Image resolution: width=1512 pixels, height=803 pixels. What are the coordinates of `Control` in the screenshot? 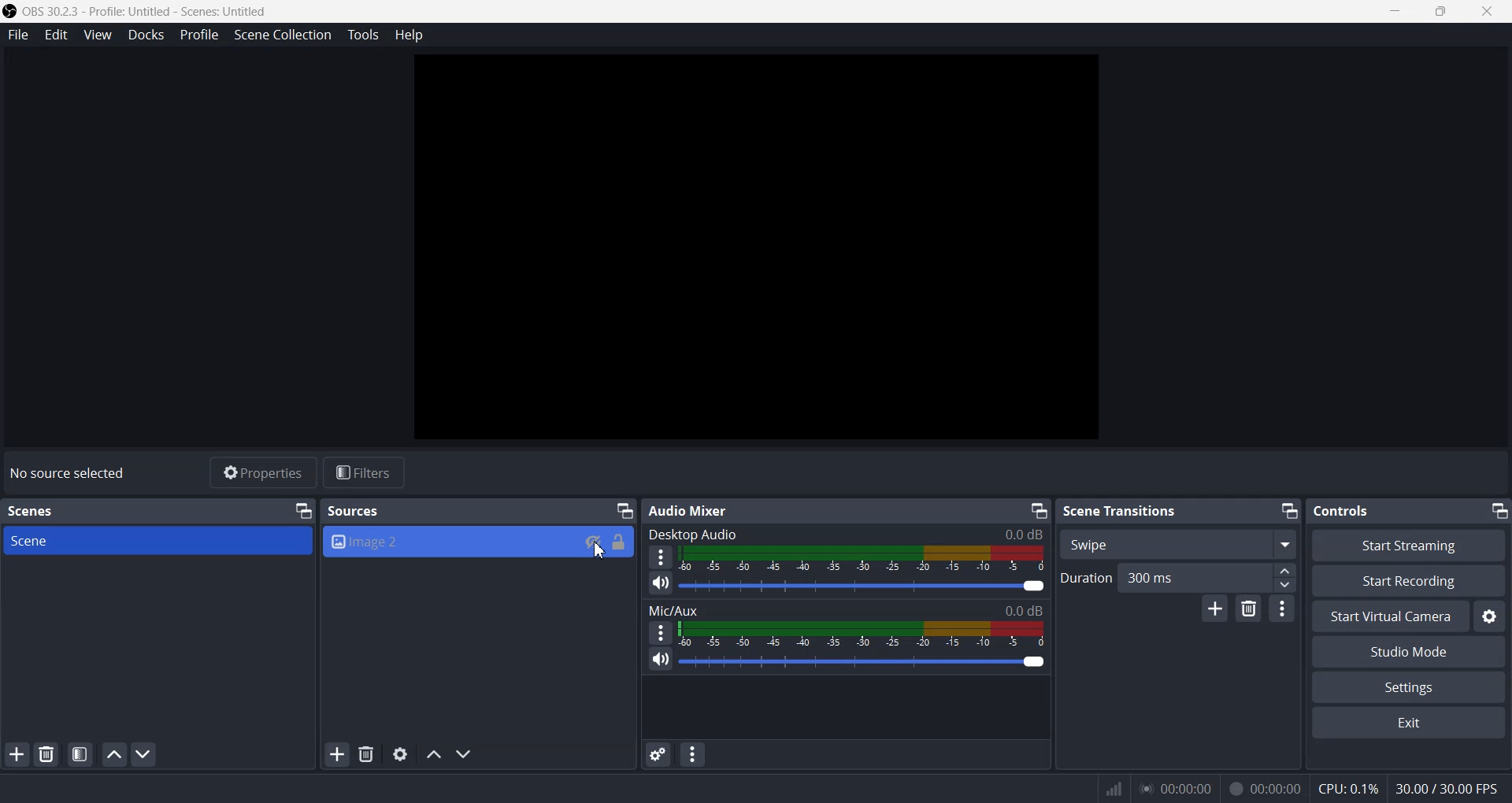 It's located at (1346, 512).